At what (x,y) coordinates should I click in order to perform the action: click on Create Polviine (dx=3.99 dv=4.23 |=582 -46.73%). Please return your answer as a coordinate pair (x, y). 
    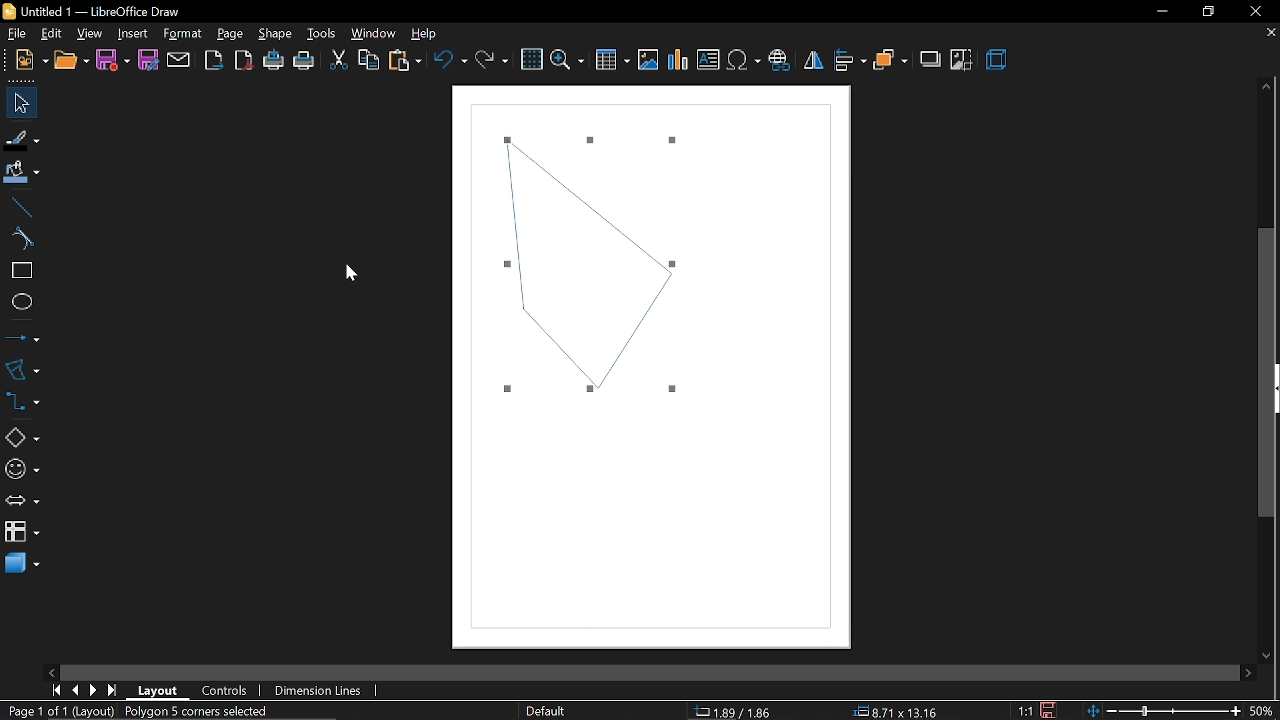
    Looking at the image, I should click on (275, 710).